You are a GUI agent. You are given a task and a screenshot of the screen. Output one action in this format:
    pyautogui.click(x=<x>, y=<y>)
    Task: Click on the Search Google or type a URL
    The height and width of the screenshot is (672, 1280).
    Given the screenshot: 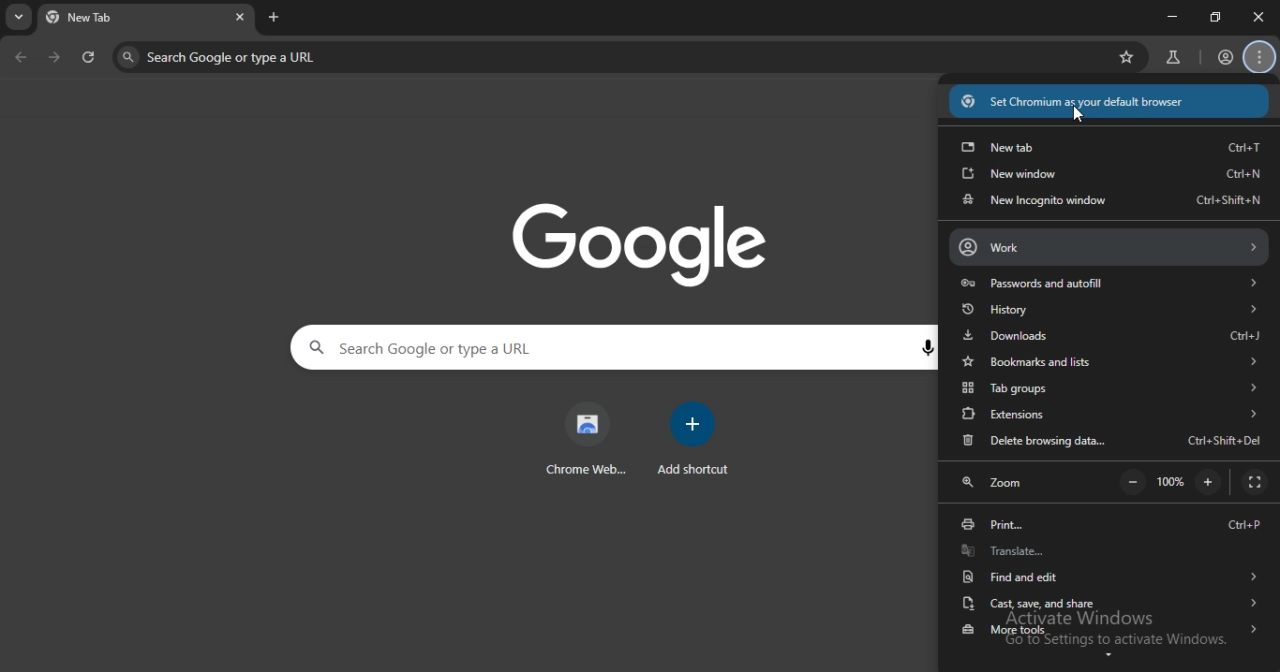 What is the action you would take?
    pyautogui.click(x=600, y=348)
    